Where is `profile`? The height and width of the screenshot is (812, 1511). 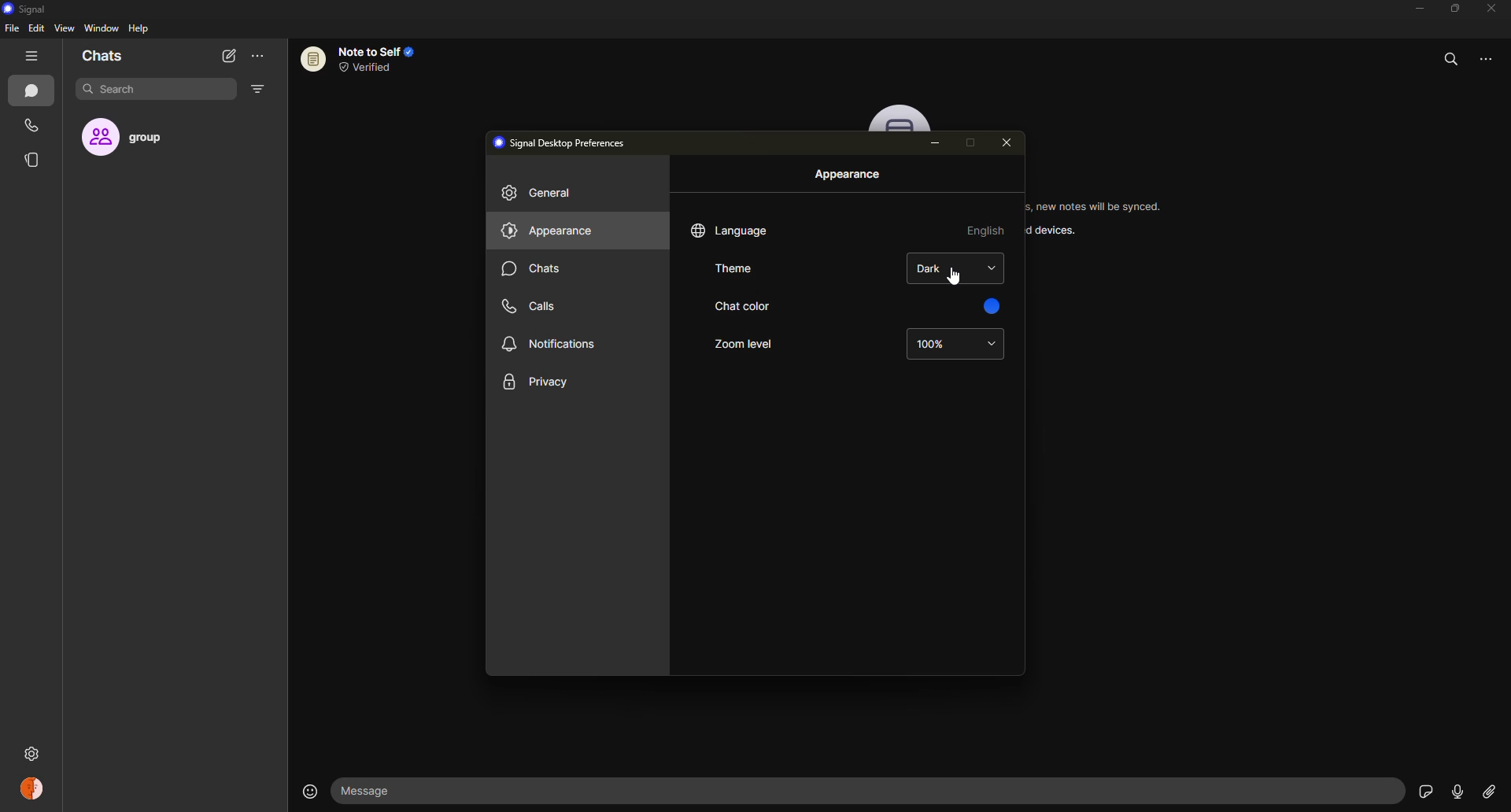 profile is located at coordinates (31, 788).